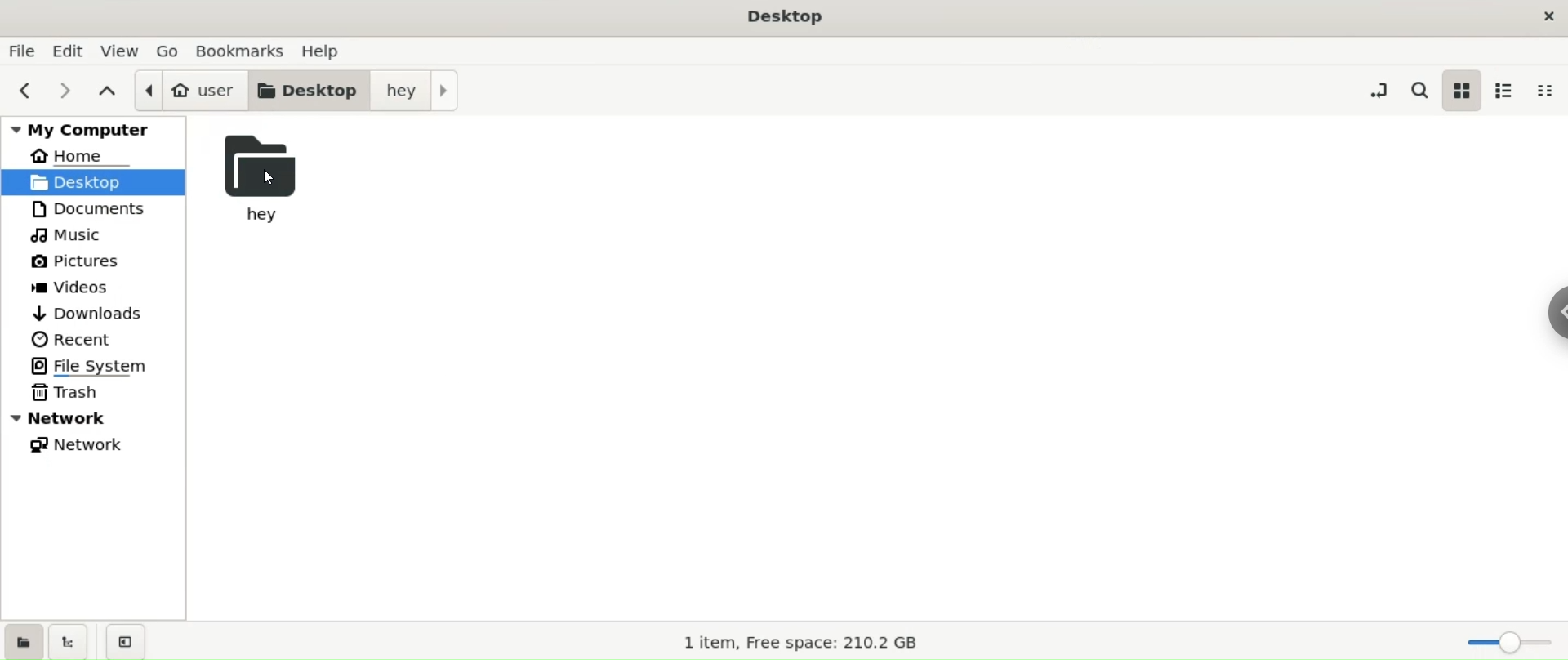 The width and height of the screenshot is (1568, 660). I want to click on recent, so click(96, 341).